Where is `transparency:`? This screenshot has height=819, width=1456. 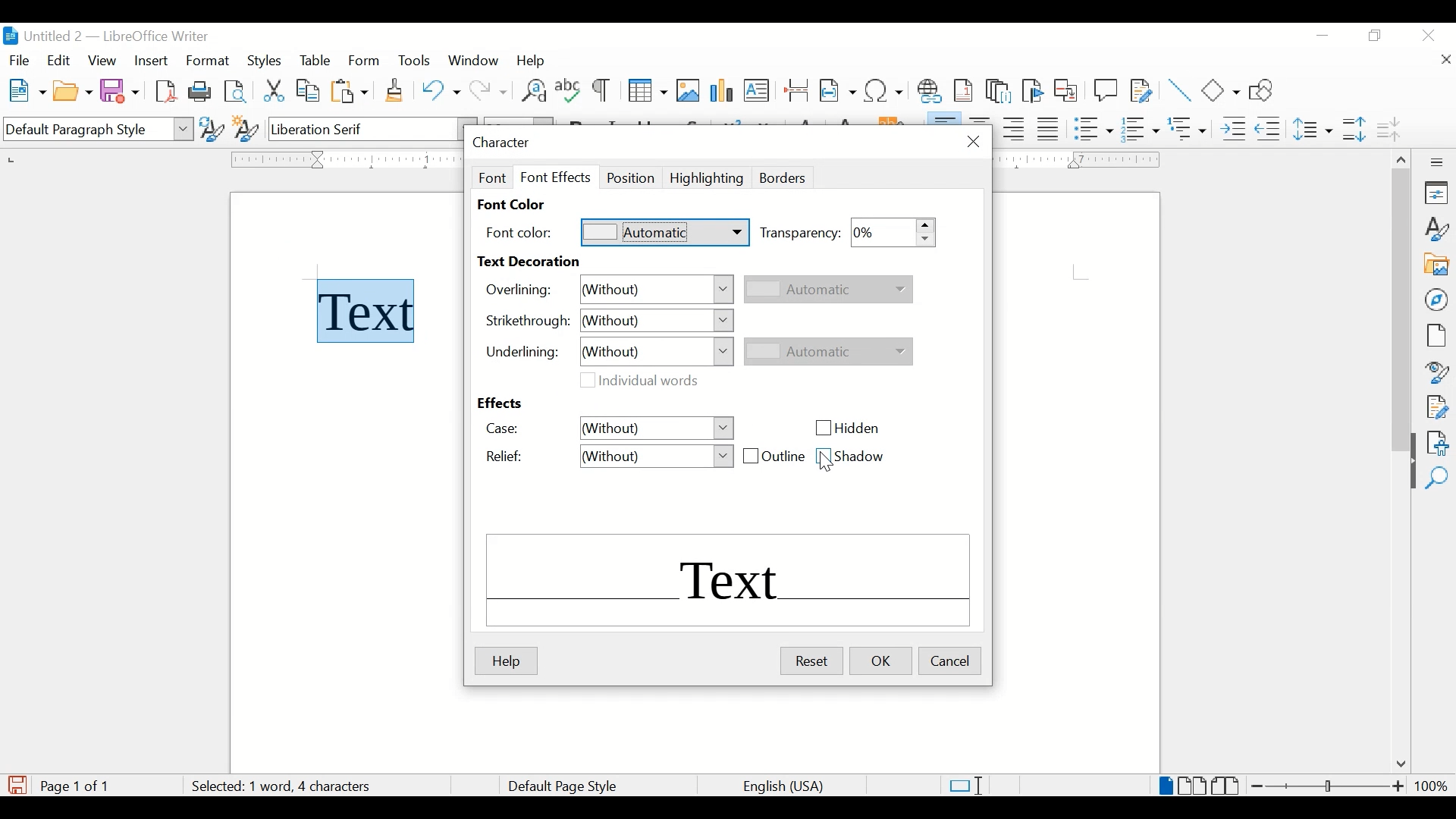
transparency: is located at coordinates (802, 234).